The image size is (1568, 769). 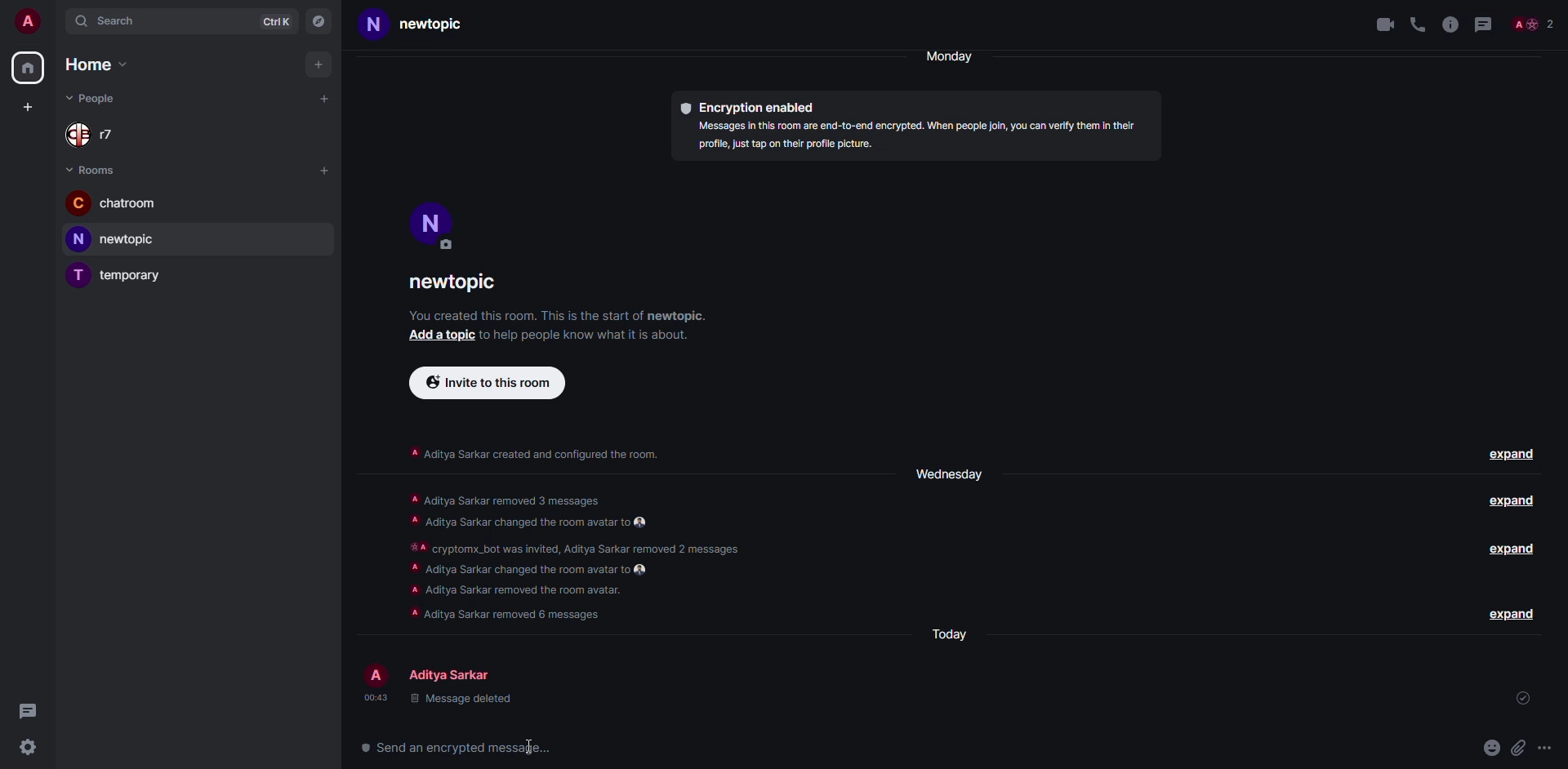 I want to click on profile, so click(x=28, y=21).